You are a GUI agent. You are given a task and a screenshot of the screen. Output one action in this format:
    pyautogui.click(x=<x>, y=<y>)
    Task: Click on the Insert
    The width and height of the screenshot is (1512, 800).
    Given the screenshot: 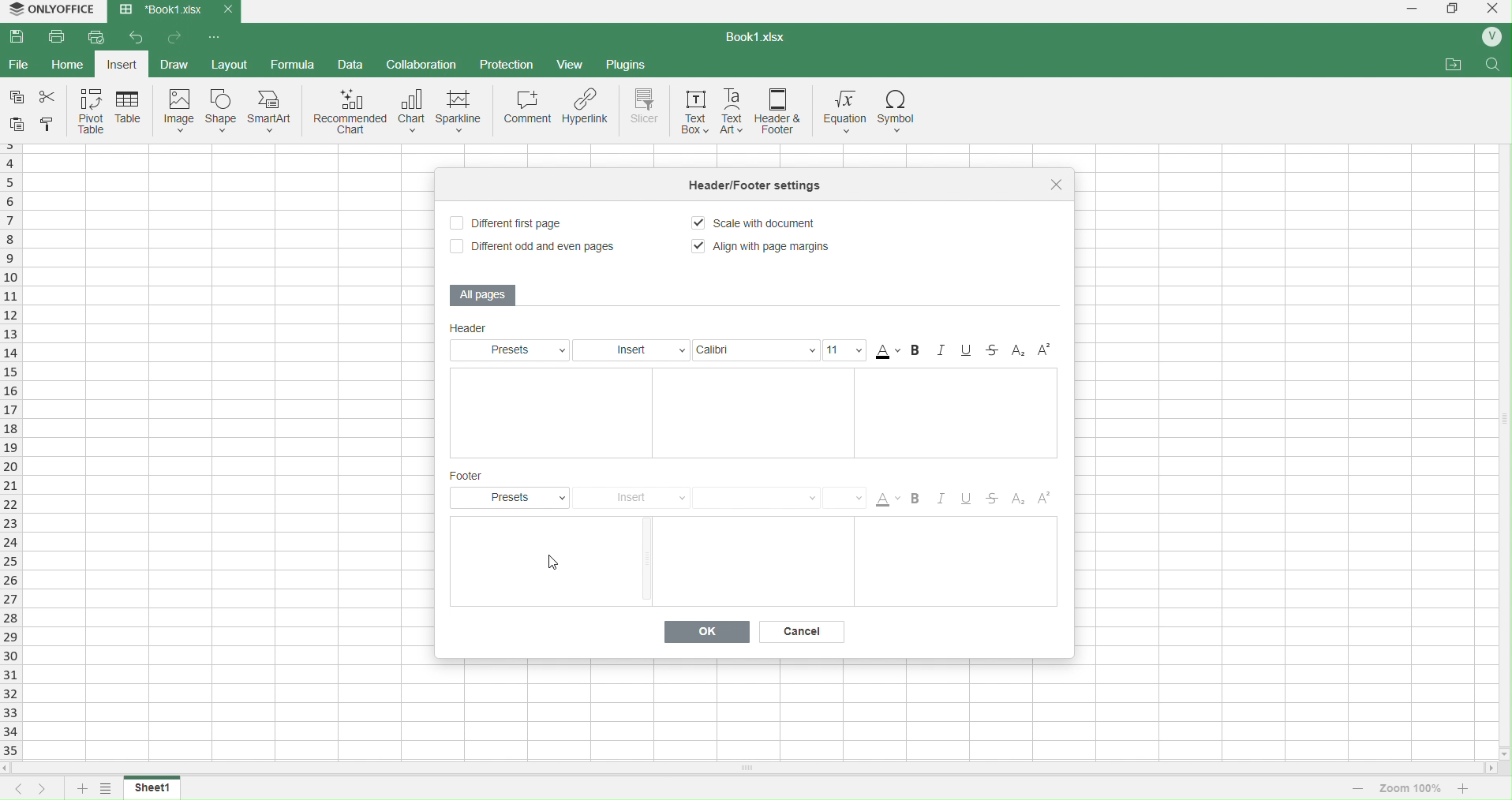 What is the action you would take?
    pyautogui.click(x=637, y=350)
    